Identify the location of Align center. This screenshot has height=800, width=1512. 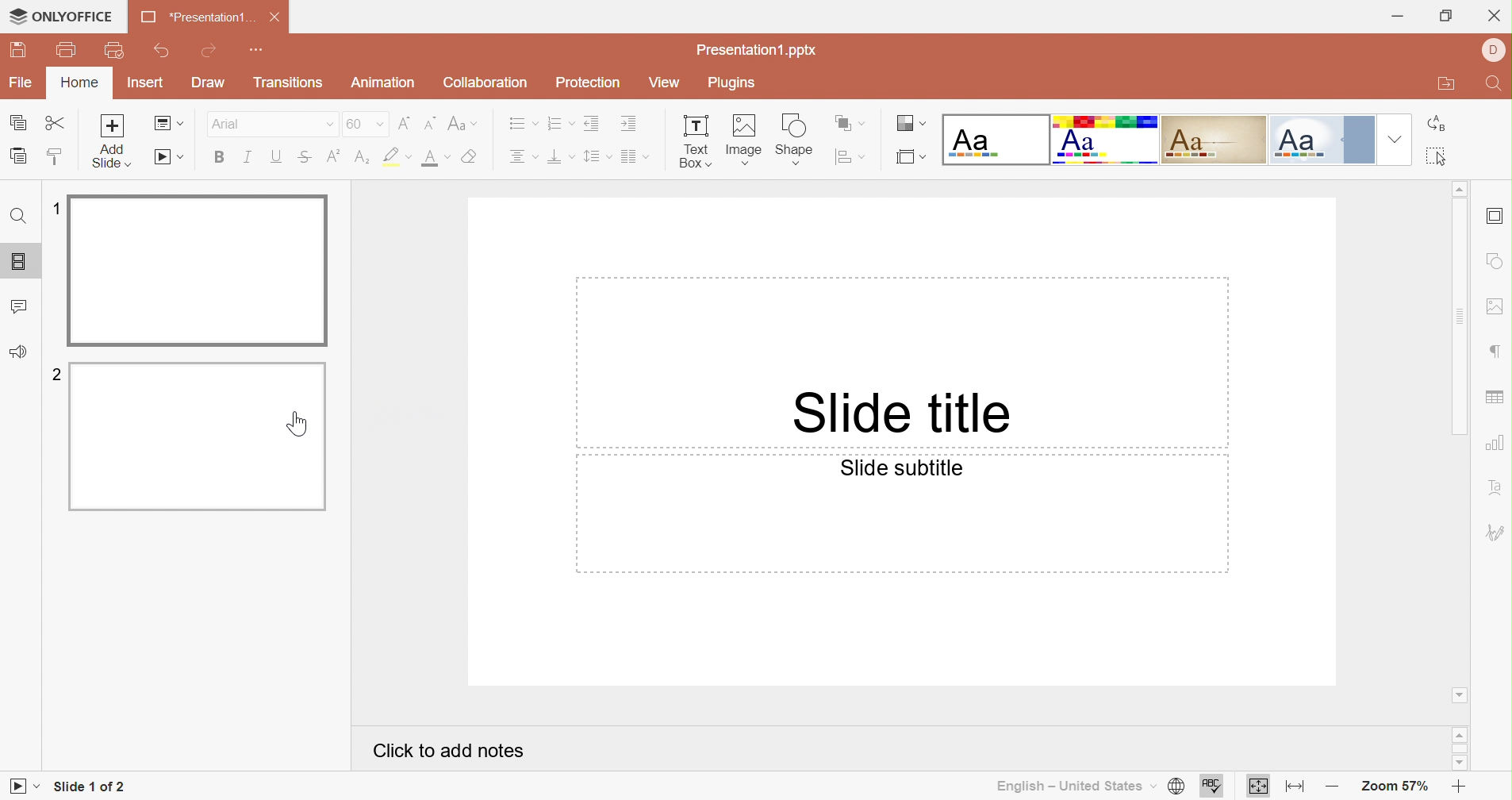
(524, 157).